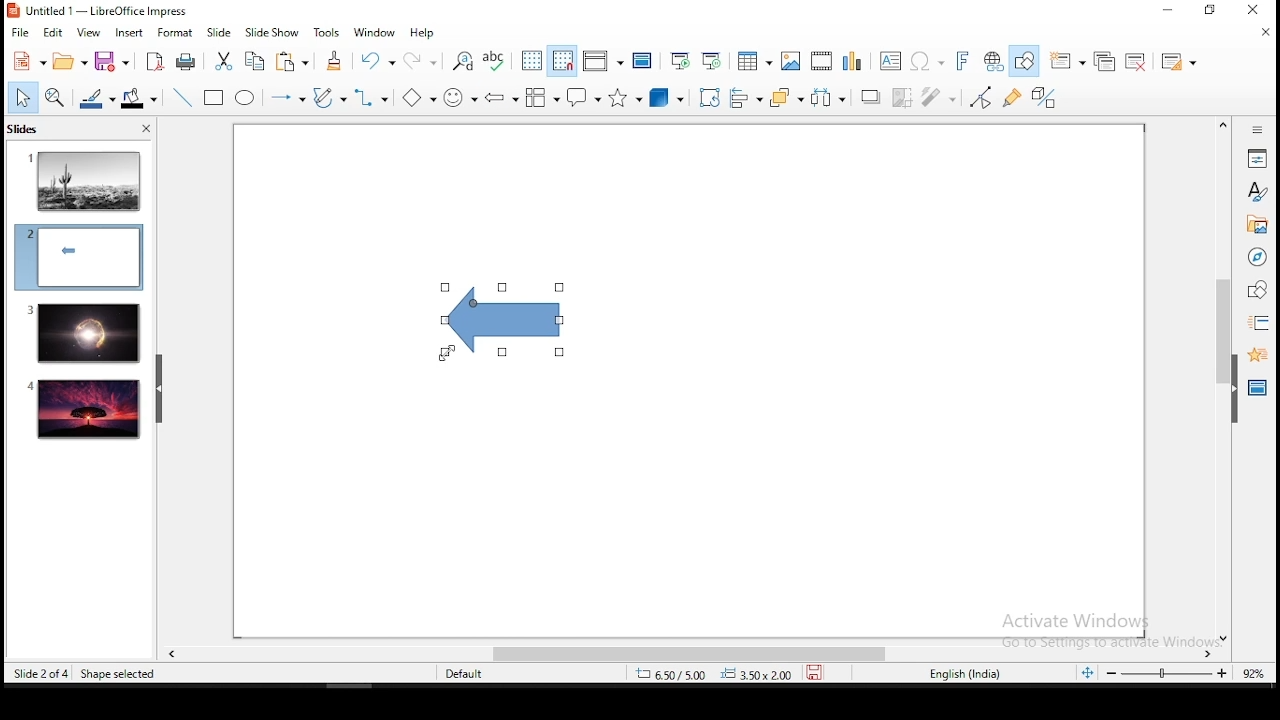  I want to click on curves and polygons, so click(328, 98).